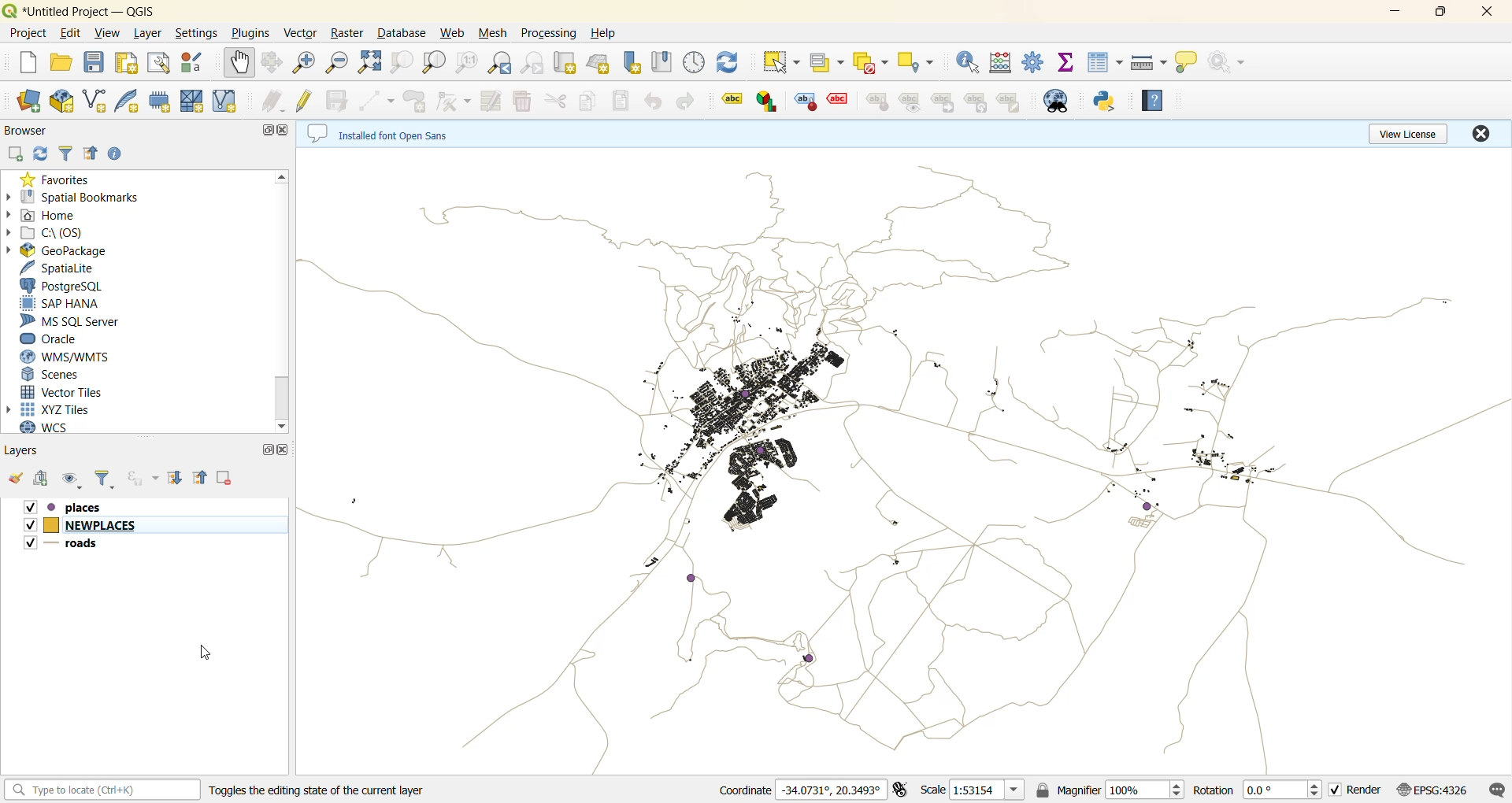  I want to click on python, so click(1105, 102).